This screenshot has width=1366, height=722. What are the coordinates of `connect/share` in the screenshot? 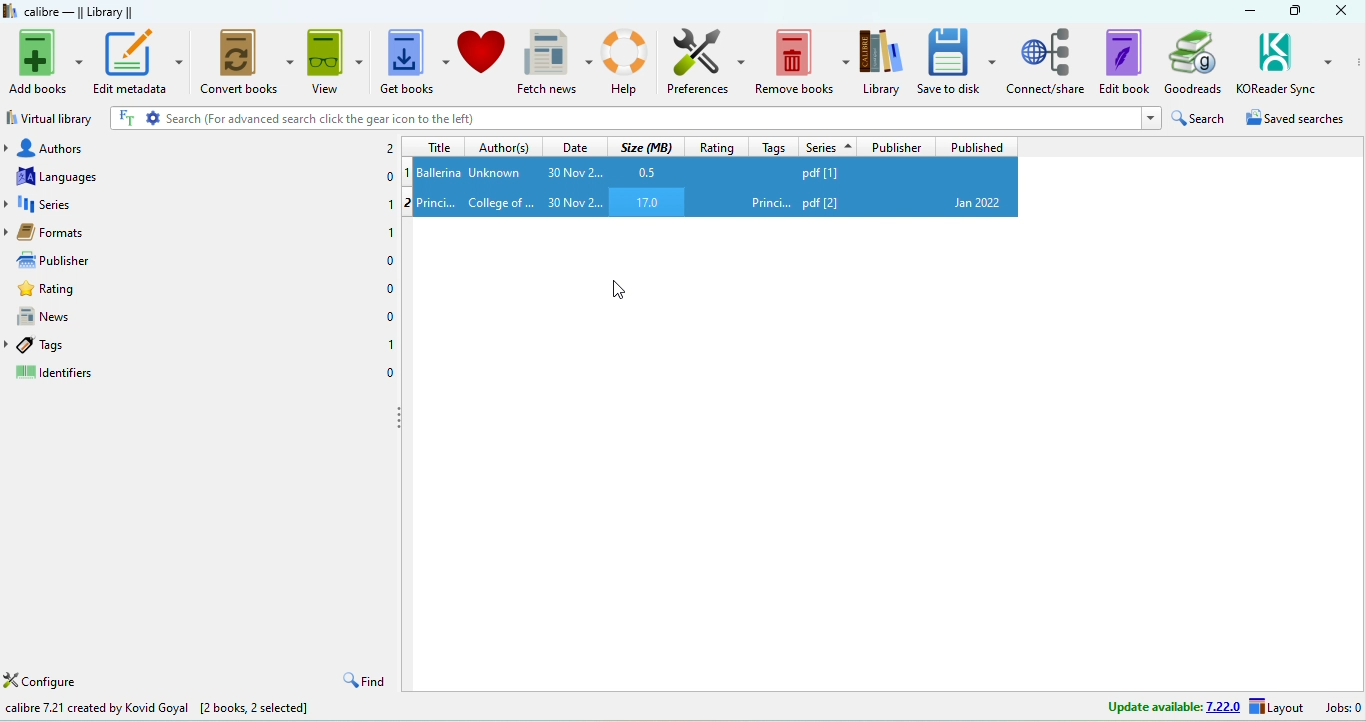 It's located at (1048, 61).